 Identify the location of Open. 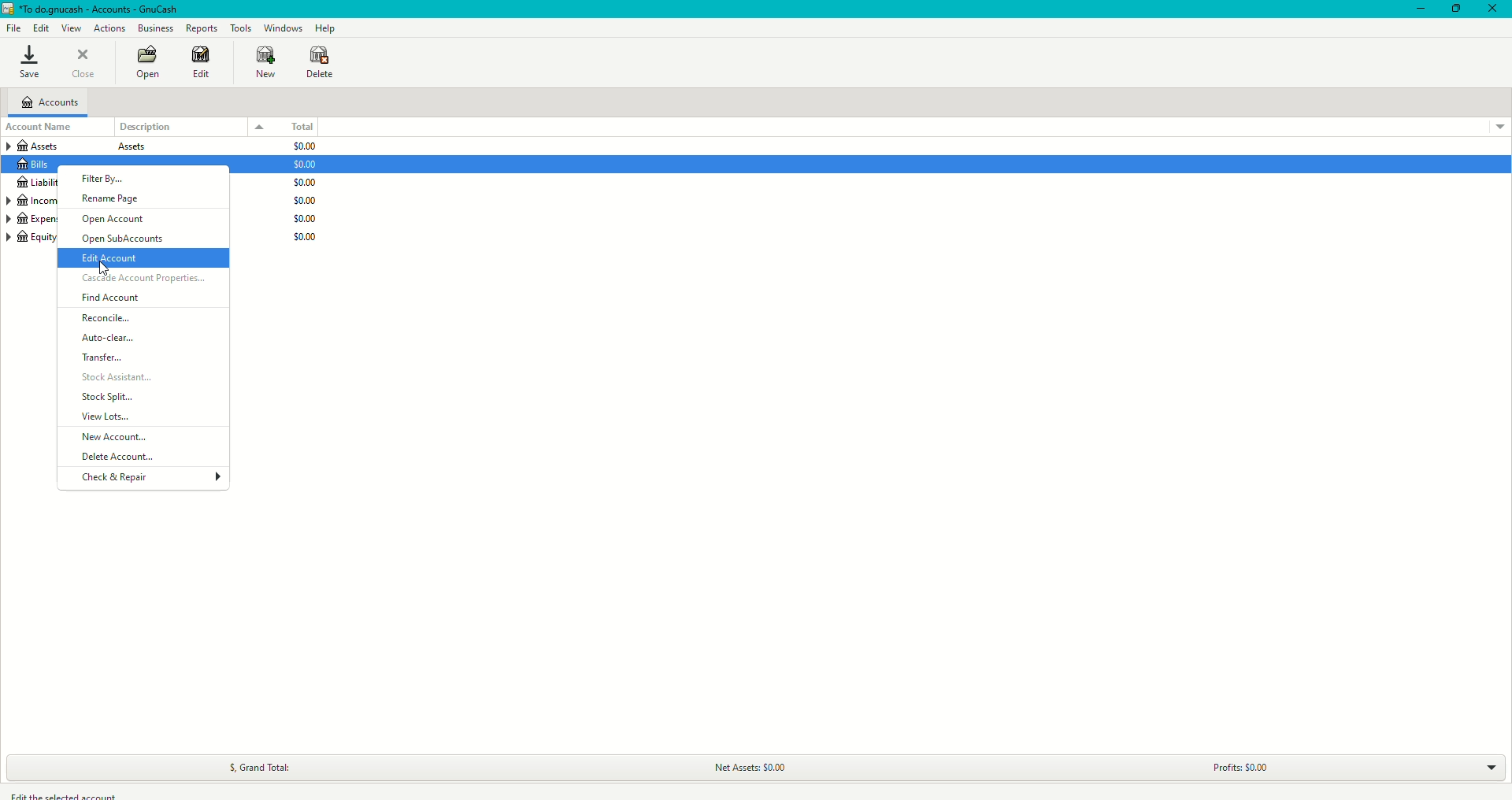
(148, 62).